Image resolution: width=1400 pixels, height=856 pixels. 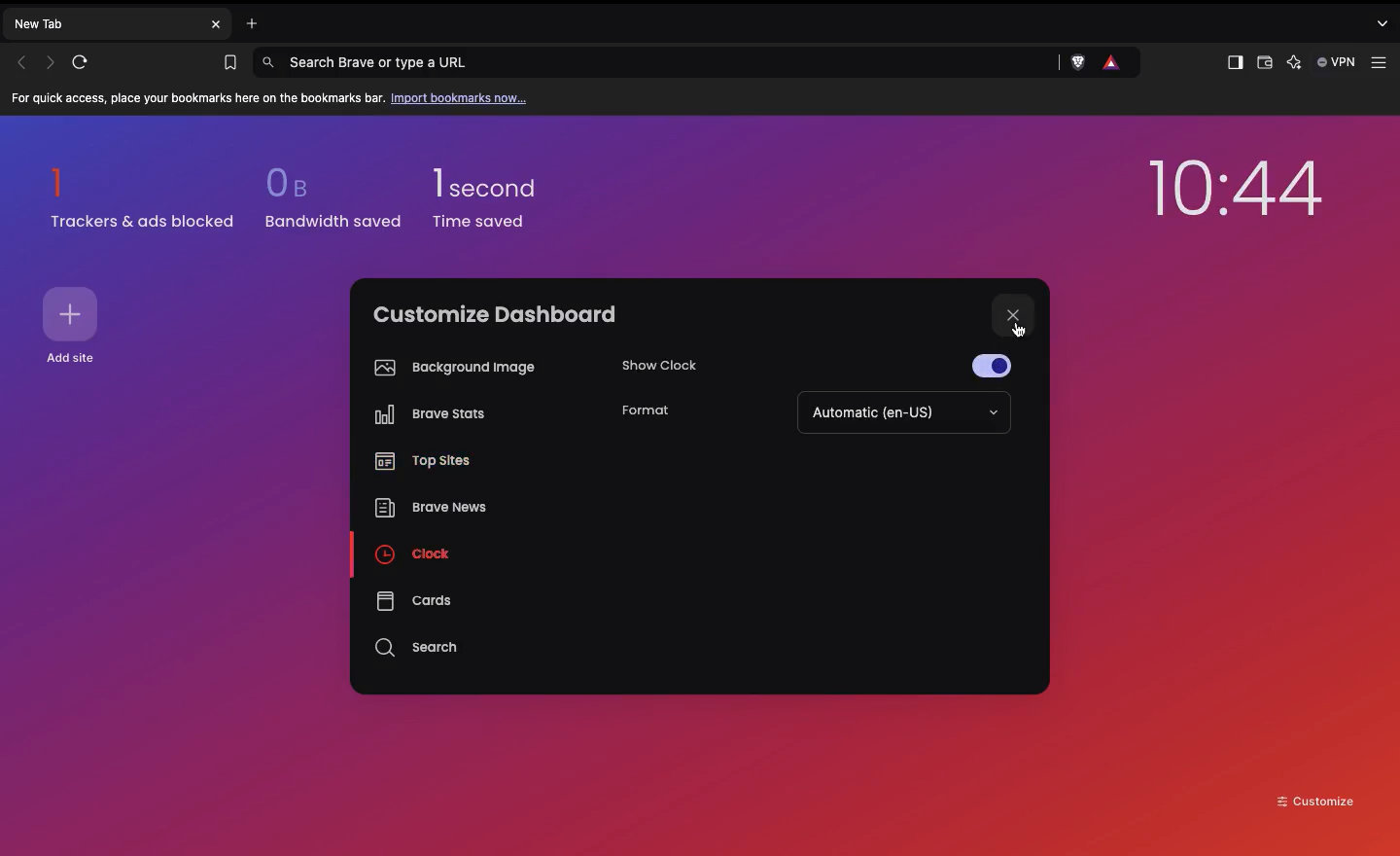 I want to click on Close, so click(x=1015, y=317).